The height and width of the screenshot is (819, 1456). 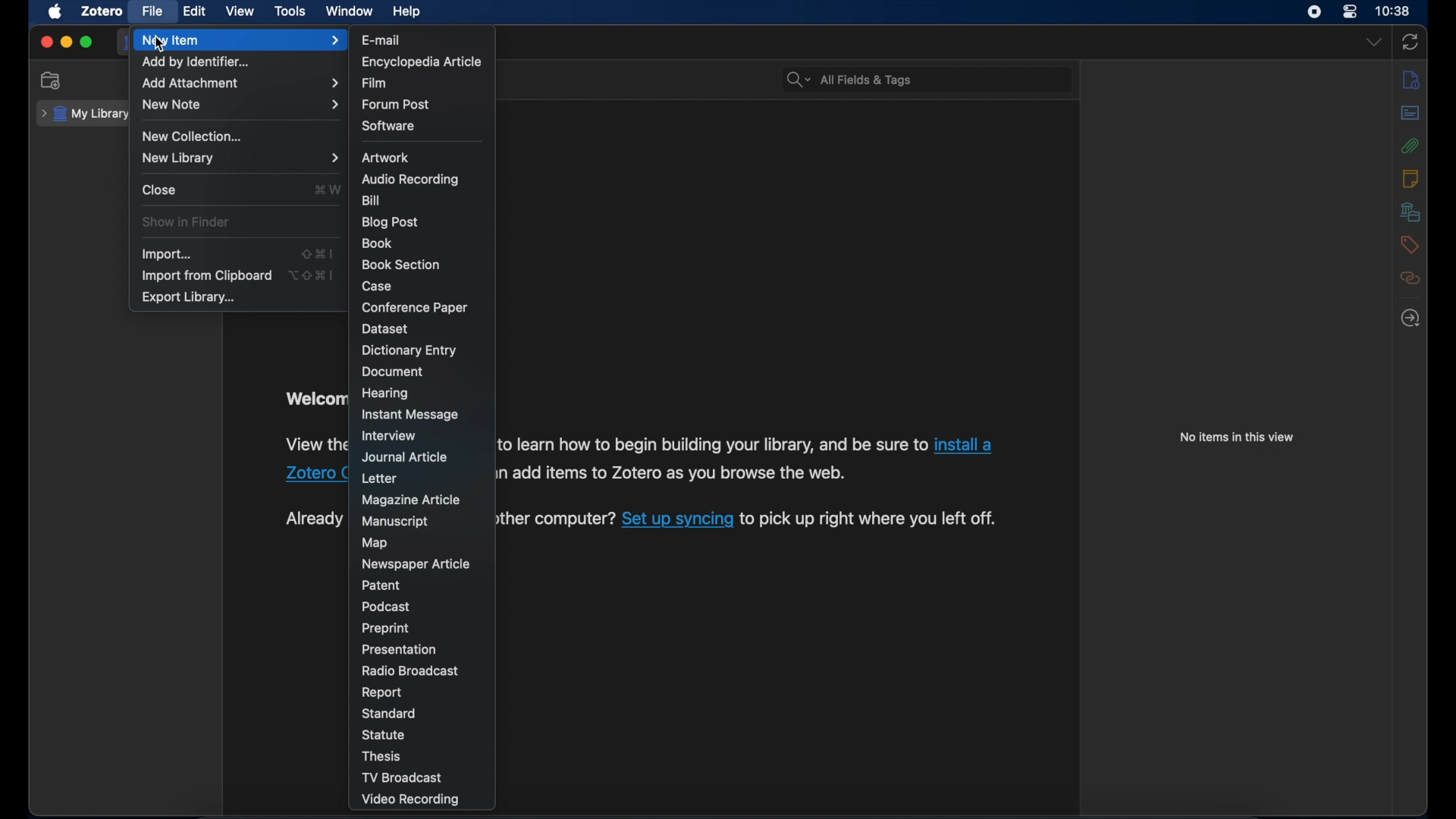 What do you see at coordinates (83, 115) in the screenshot?
I see `my library` at bounding box center [83, 115].